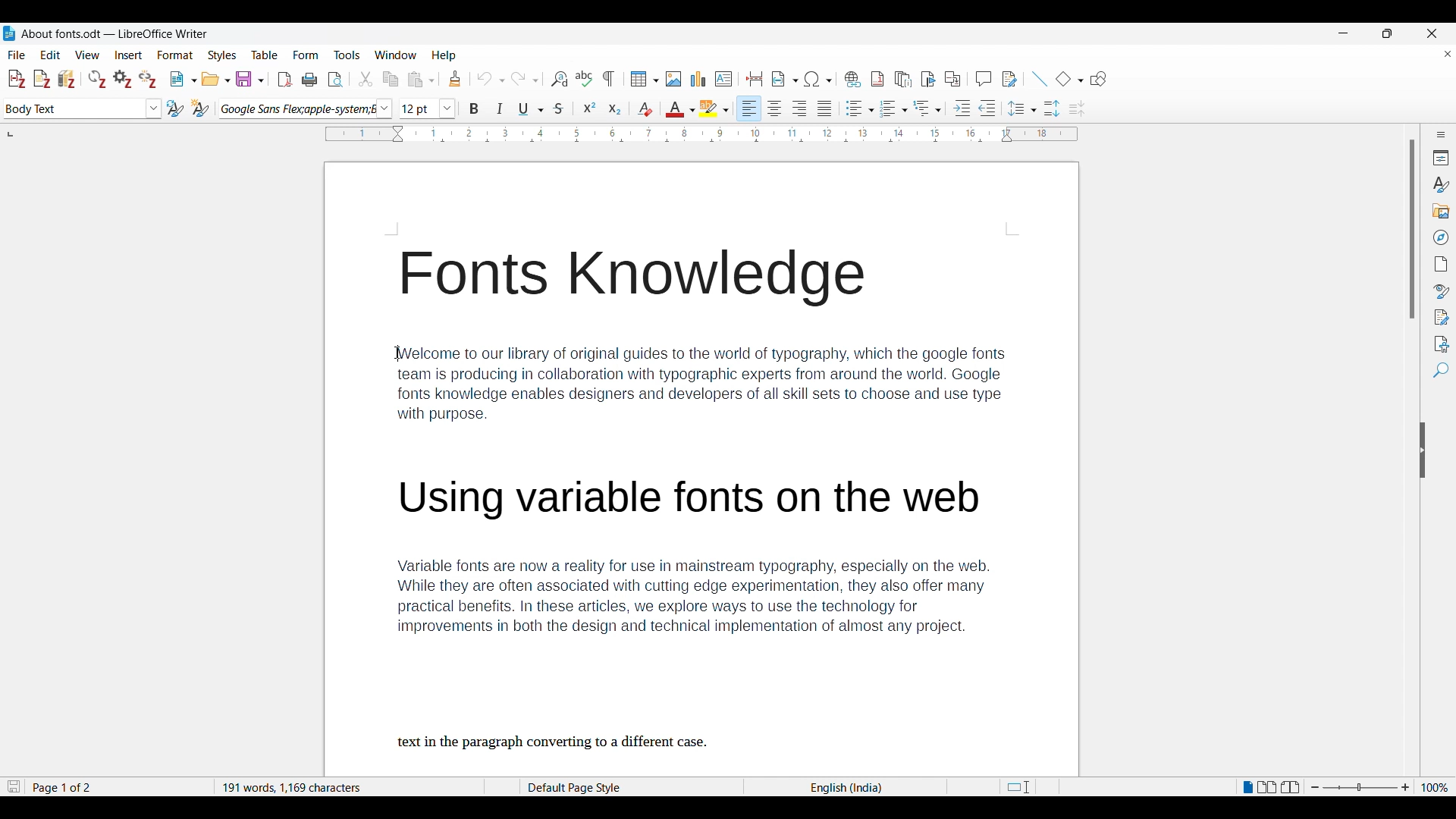 This screenshot has height=819, width=1456. What do you see at coordinates (853, 79) in the screenshot?
I see `Insert hyperlink` at bounding box center [853, 79].